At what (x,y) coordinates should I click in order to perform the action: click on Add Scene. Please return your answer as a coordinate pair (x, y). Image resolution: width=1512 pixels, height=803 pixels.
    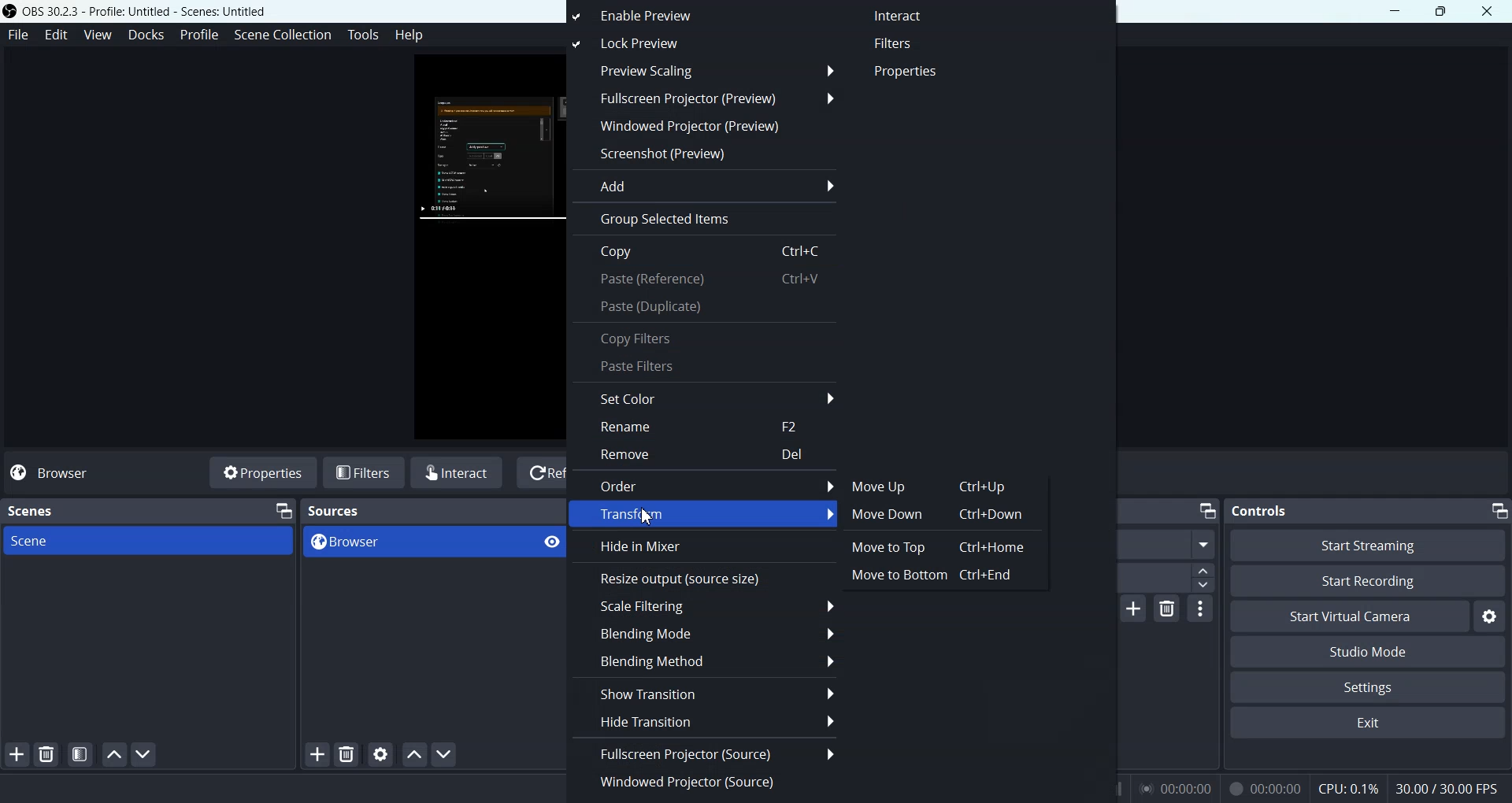
    Looking at the image, I should click on (17, 755).